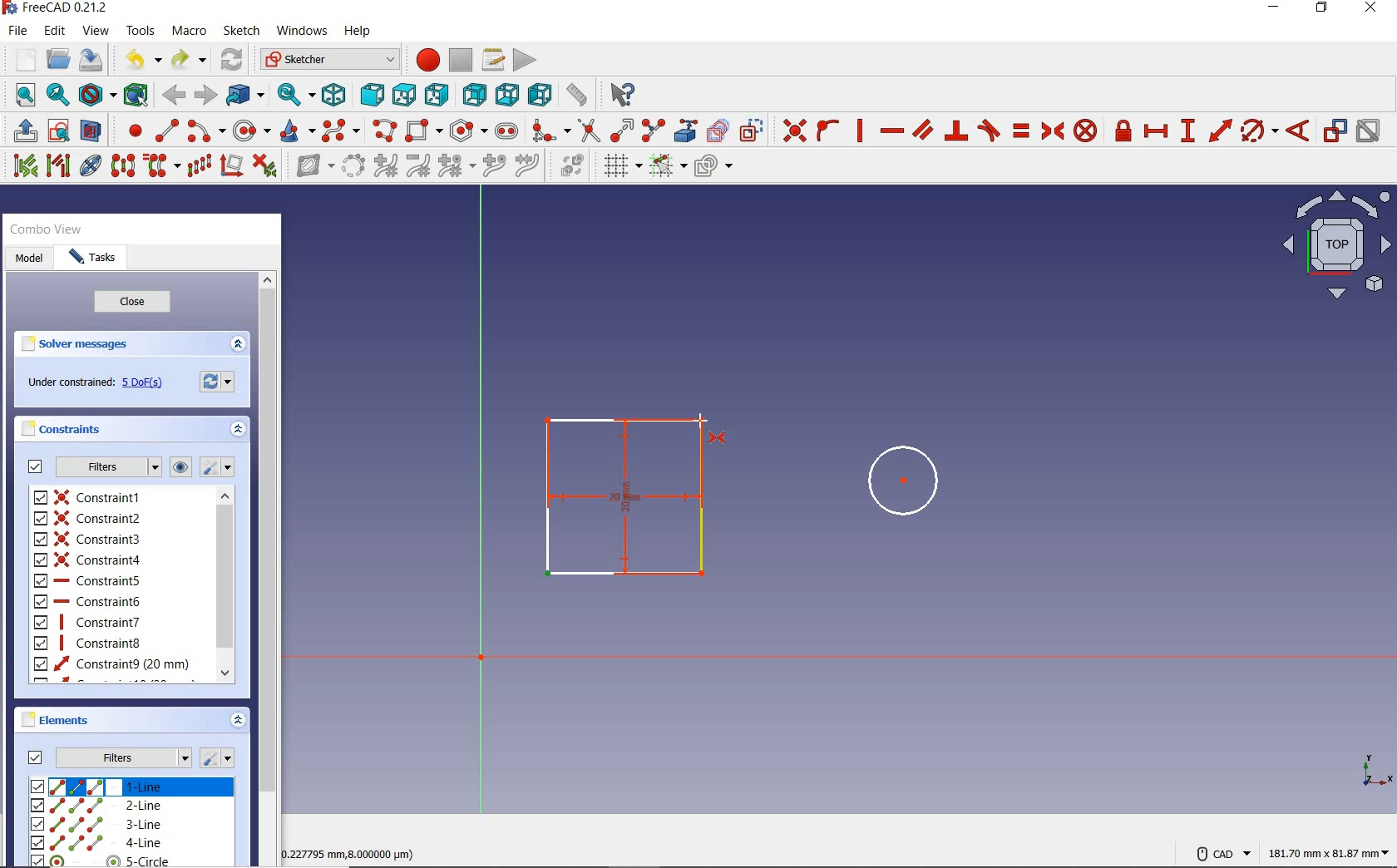 The height and width of the screenshot is (868, 1397). I want to click on delete all constraints, so click(266, 167).